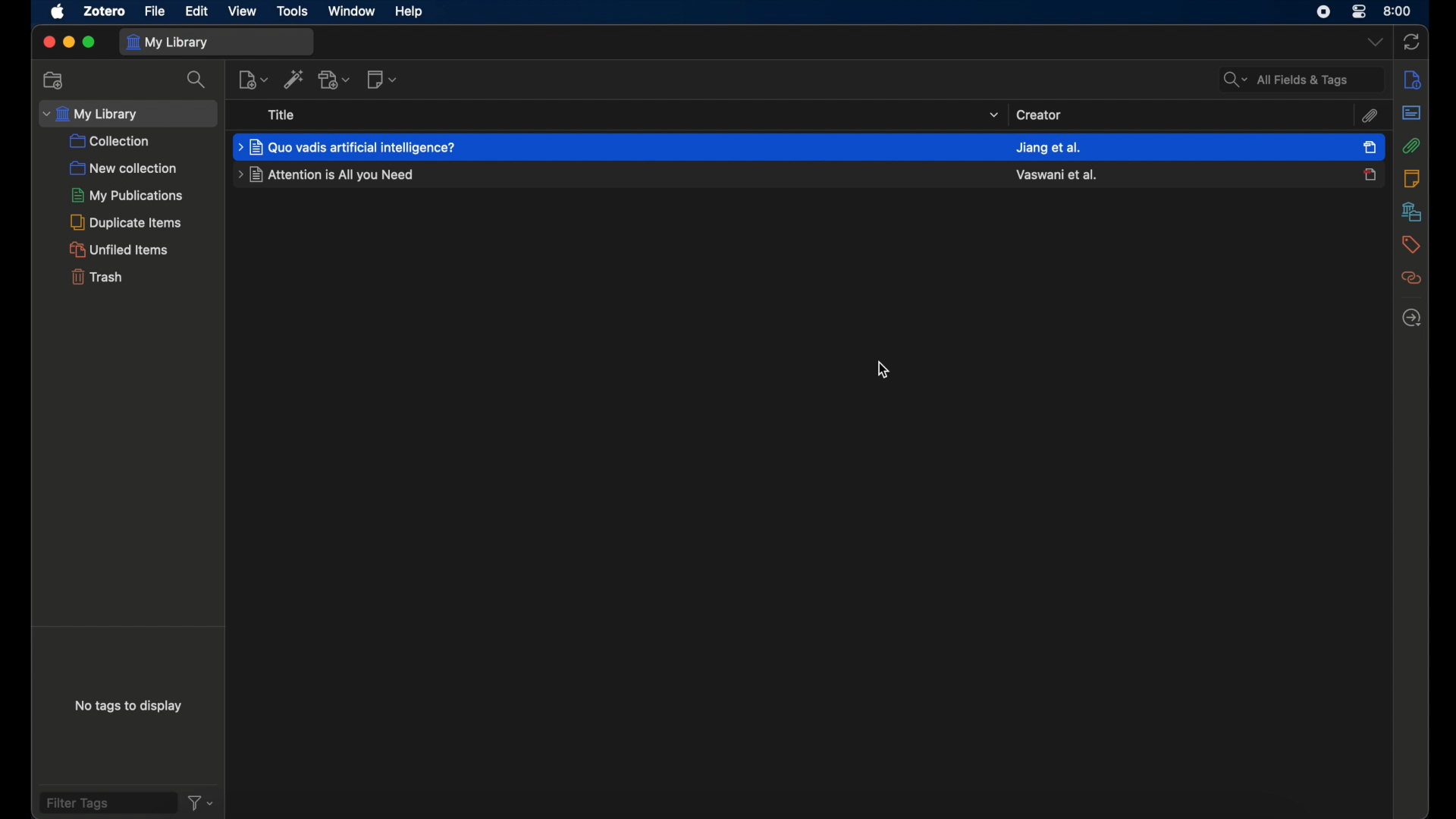 The height and width of the screenshot is (819, 1456). Describe the element at coordinates (290, 11) in the screenshot. I see `tools` at that location.